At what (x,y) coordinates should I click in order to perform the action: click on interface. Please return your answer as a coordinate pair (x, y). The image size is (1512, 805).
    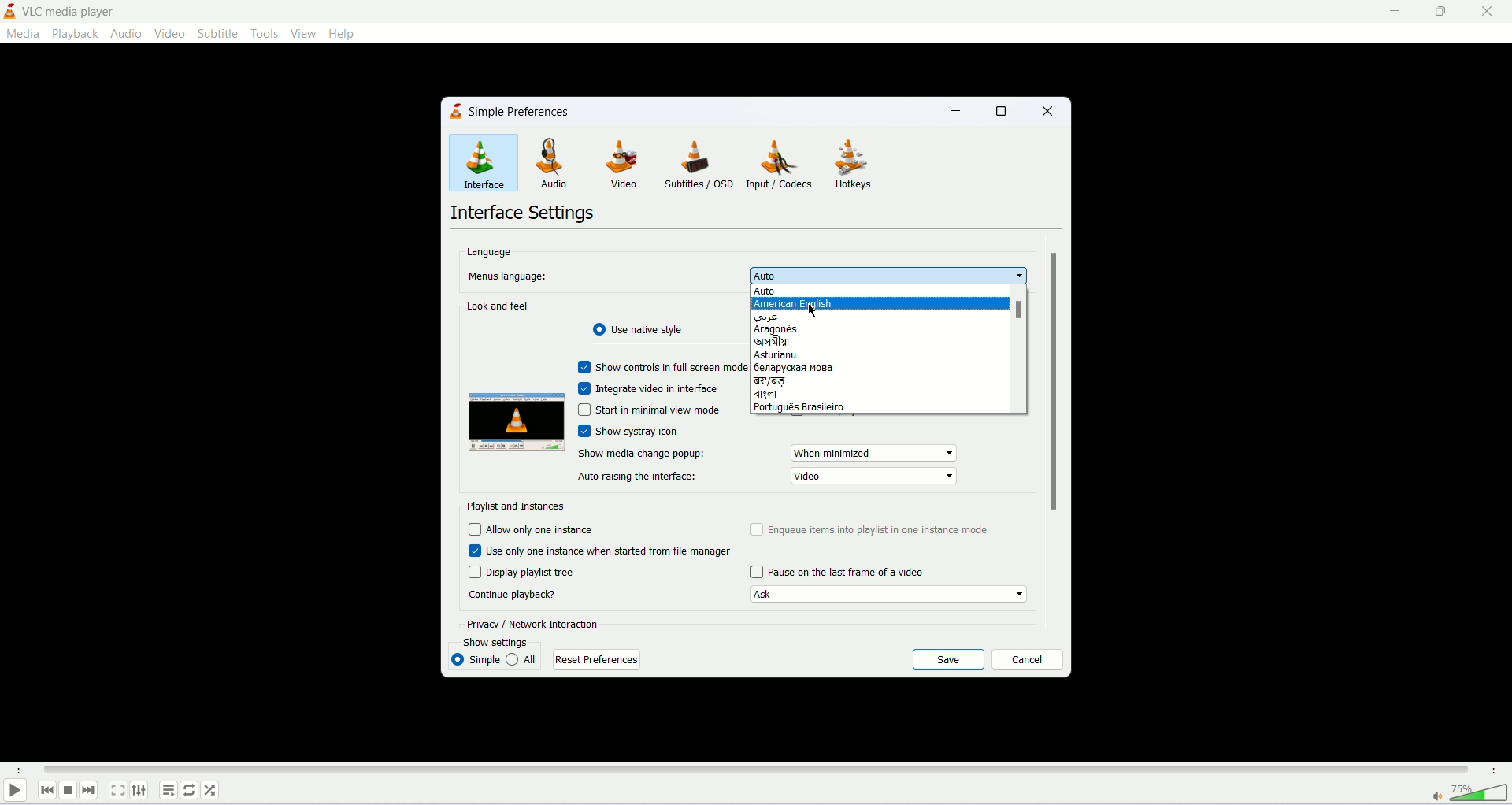
    Looking at the image, I should click on (484, 162).